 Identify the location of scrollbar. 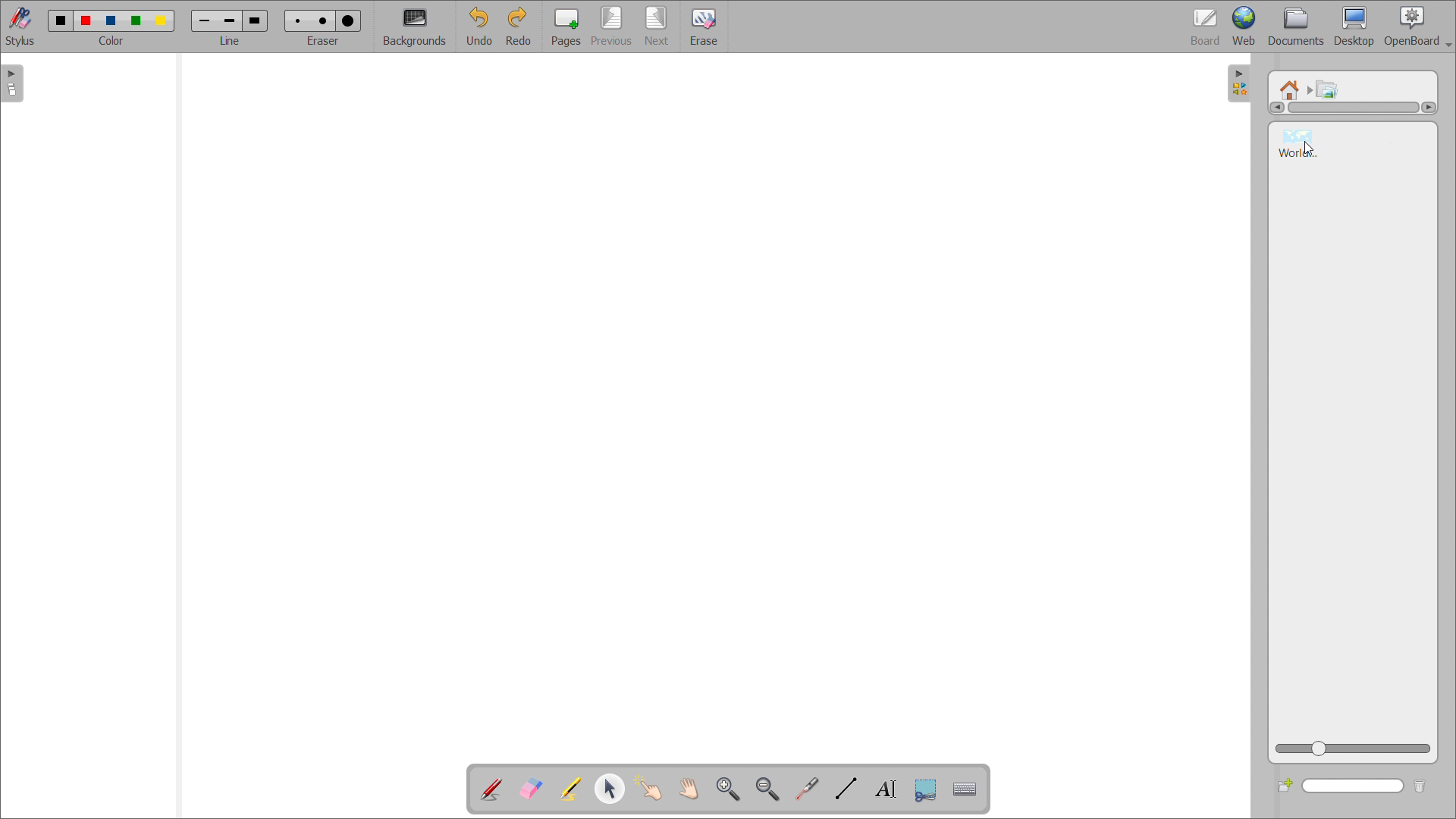
(1354, 108).